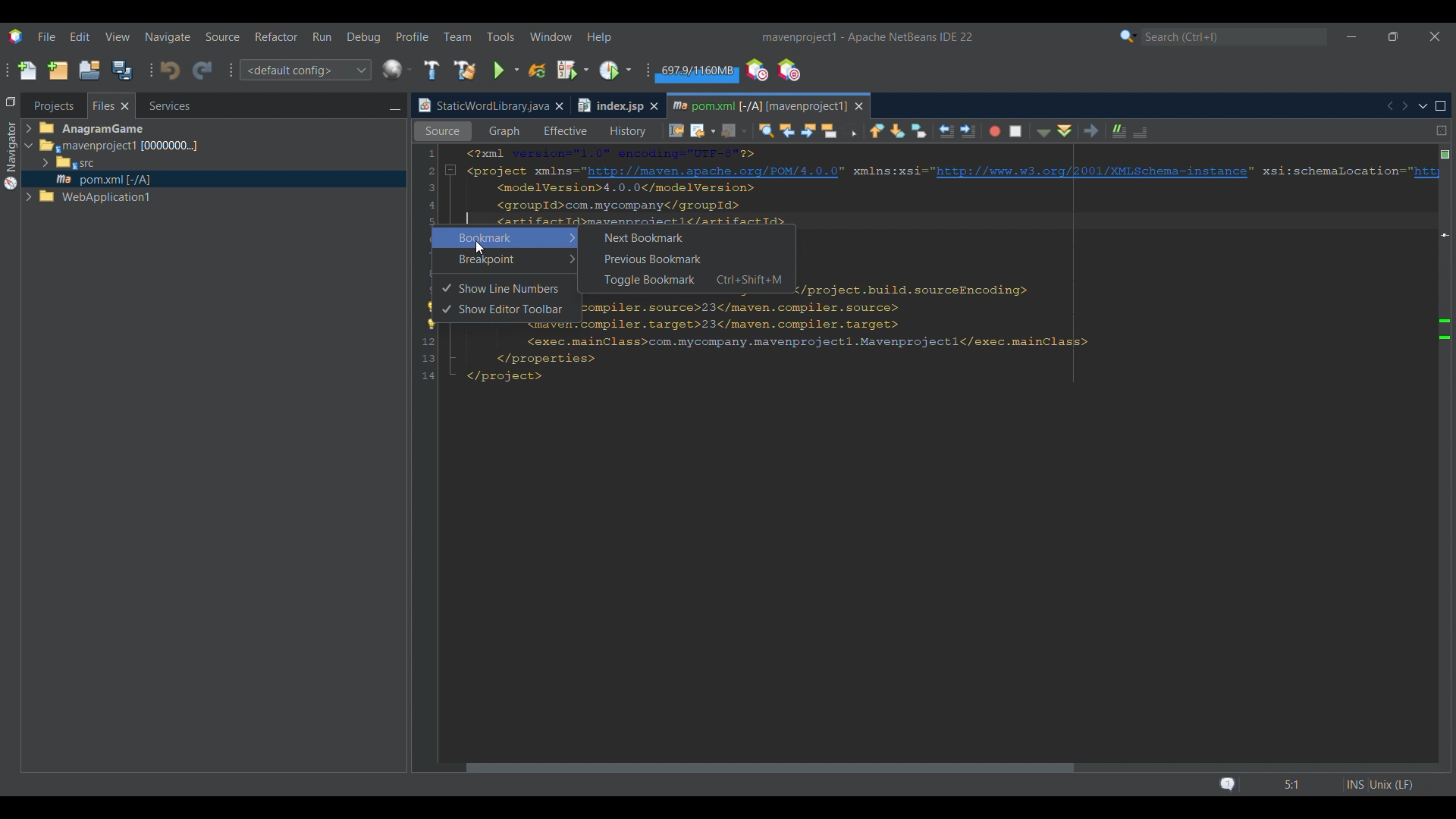 This screenshot has height=819, width=1456. Describe the element at coordinates (275, 36) in the screenshot. I see `Refactor menu` at that location.